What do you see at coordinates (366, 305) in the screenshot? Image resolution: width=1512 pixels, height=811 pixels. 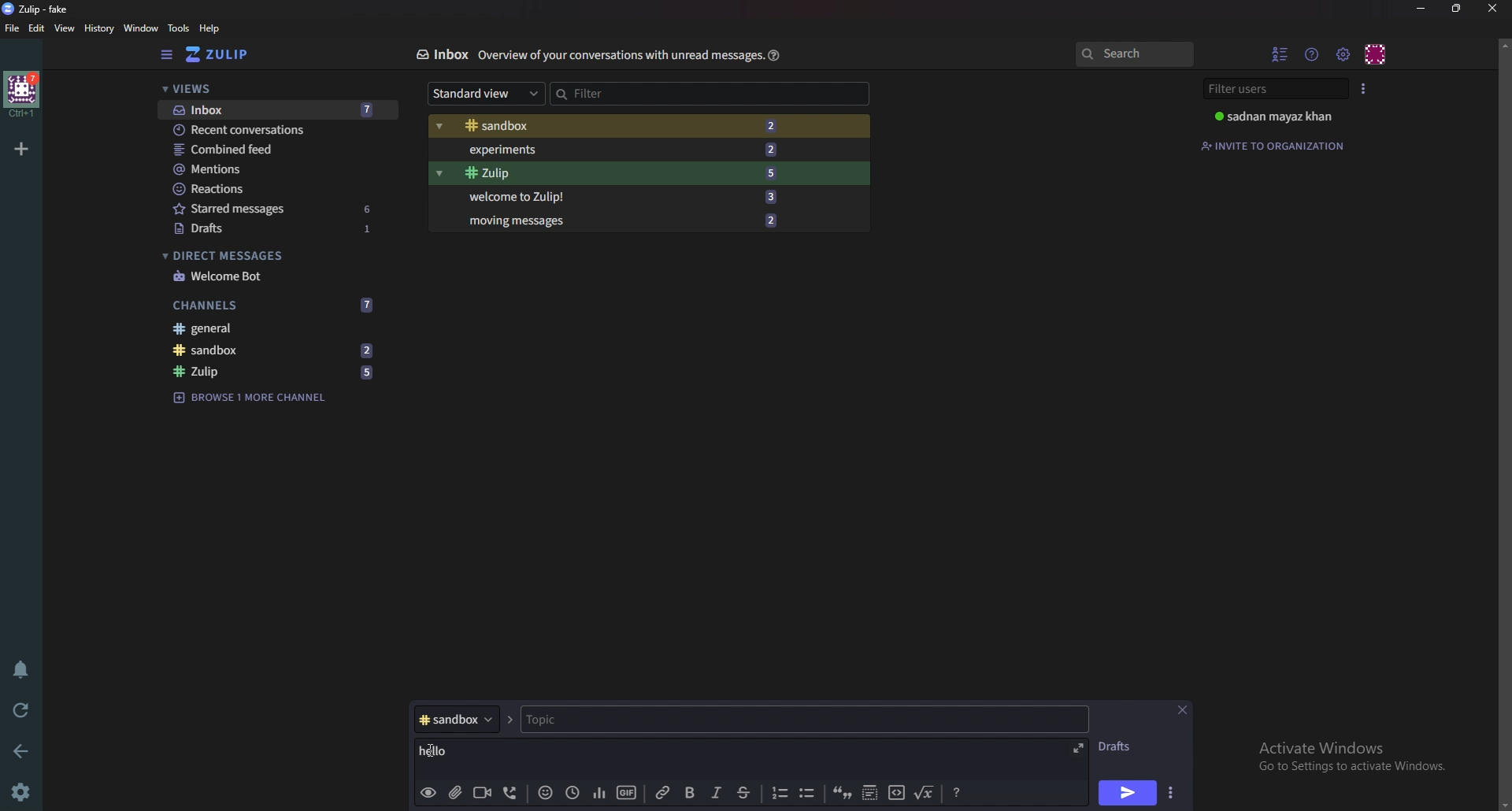 I see `7` at bounding box center [366, 305].